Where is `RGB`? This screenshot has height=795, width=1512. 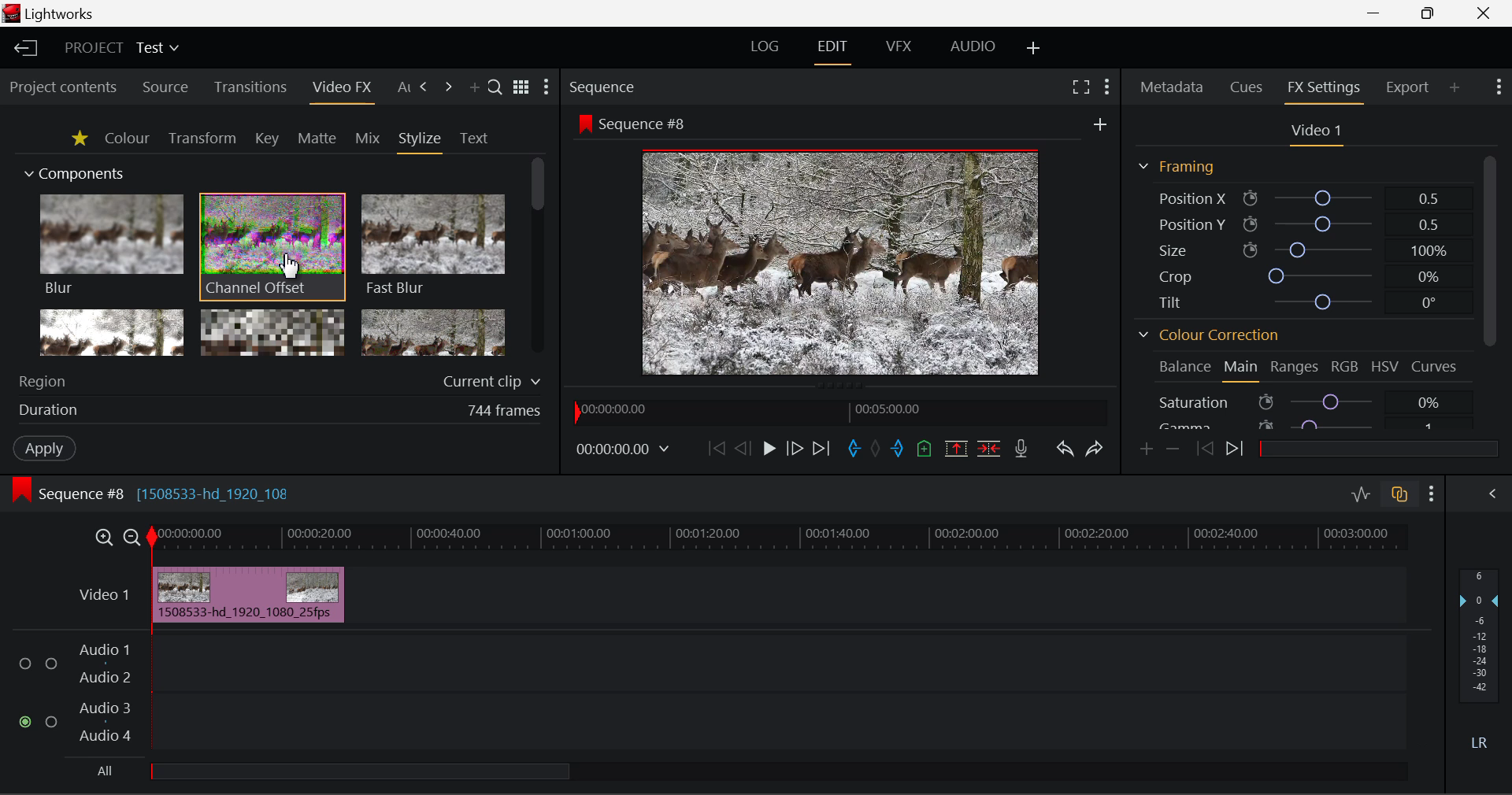
RGB is located at coordinates (1346, 366).